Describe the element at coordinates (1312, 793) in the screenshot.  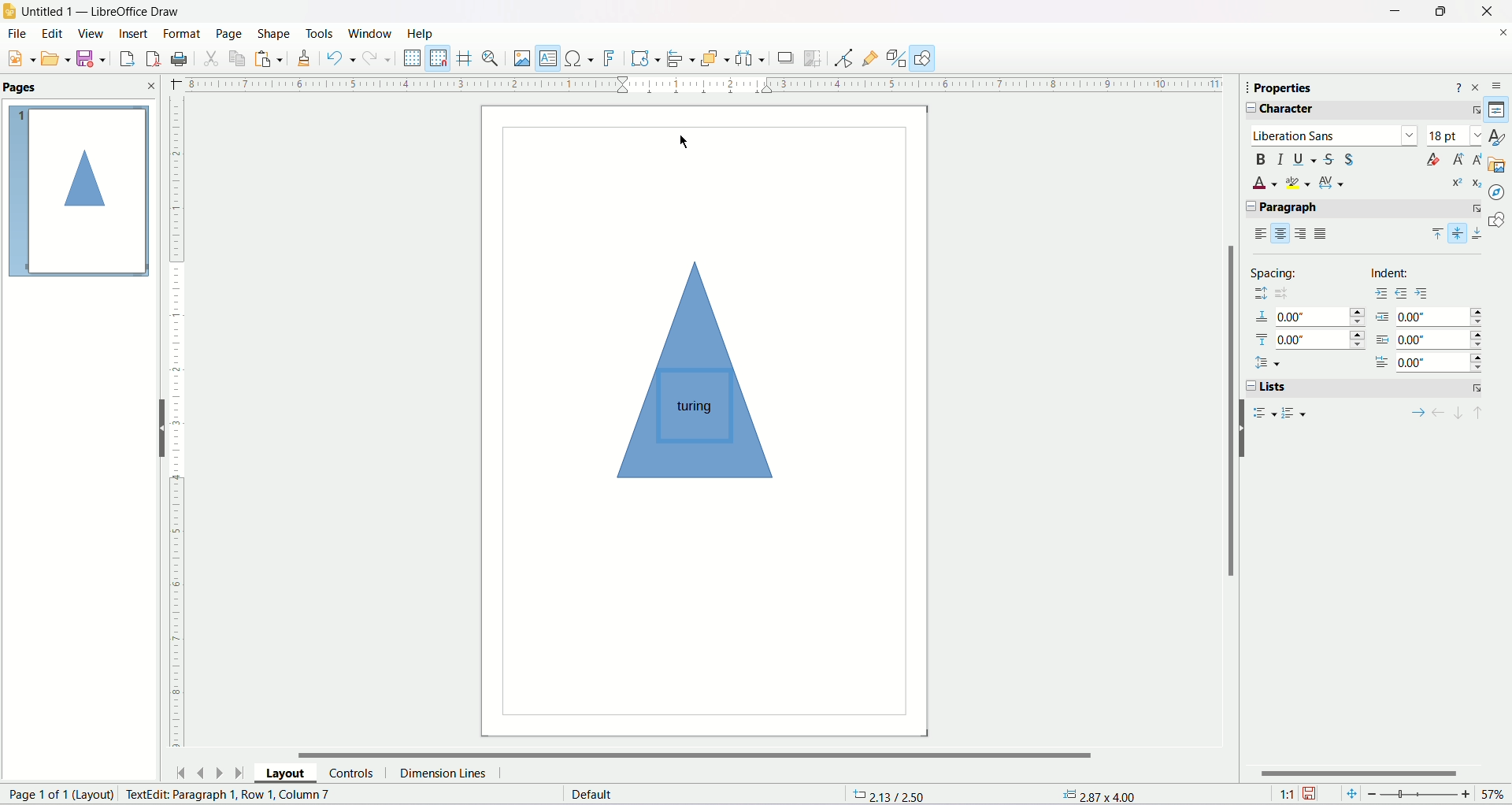
I see `Unsaved change indicator` at that location.